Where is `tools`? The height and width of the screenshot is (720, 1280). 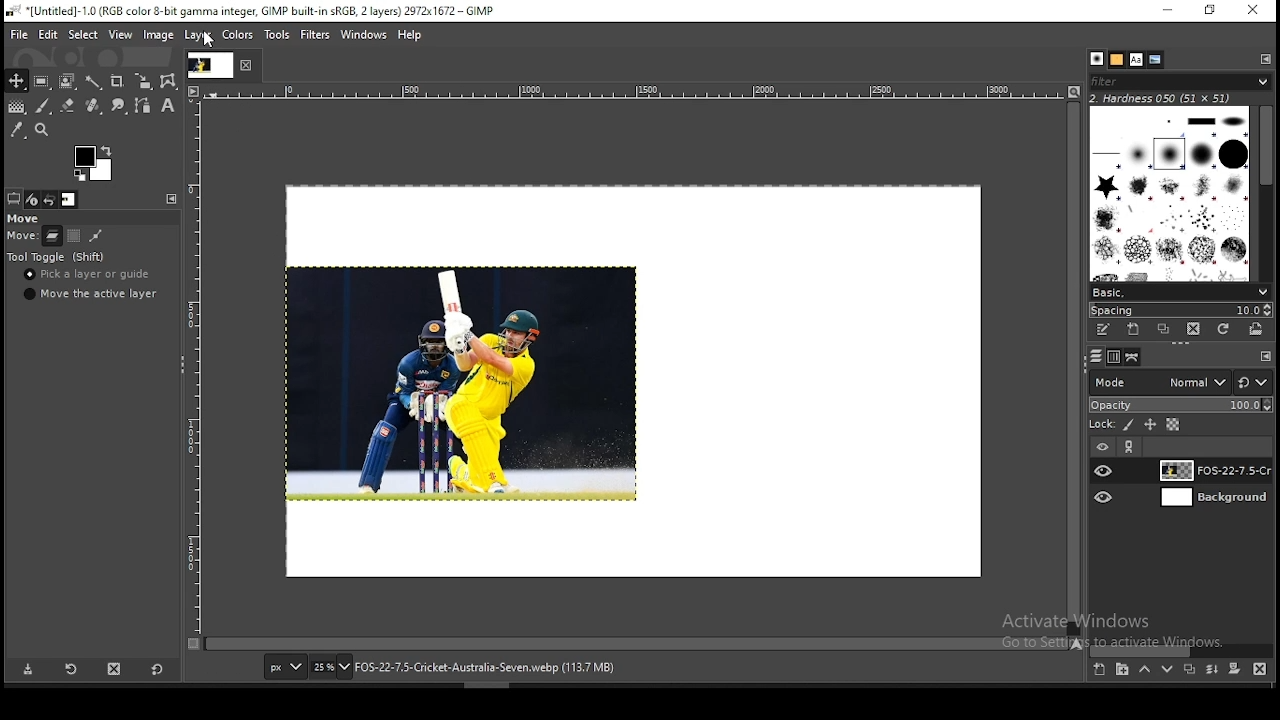
tools is located at coordinates (280, 35).